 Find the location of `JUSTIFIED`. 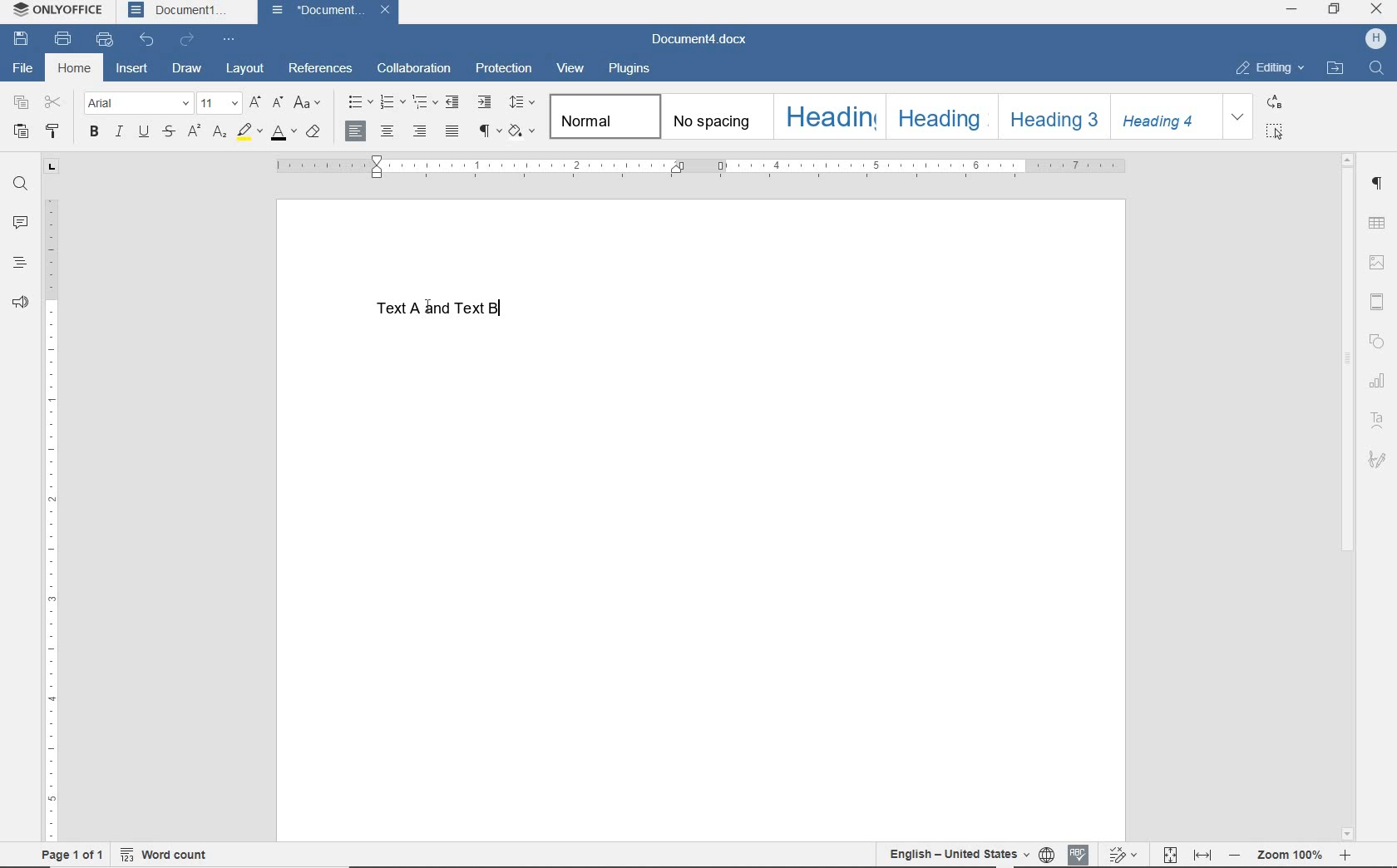

JUSTIFIED is located at coordinates (453, 133).